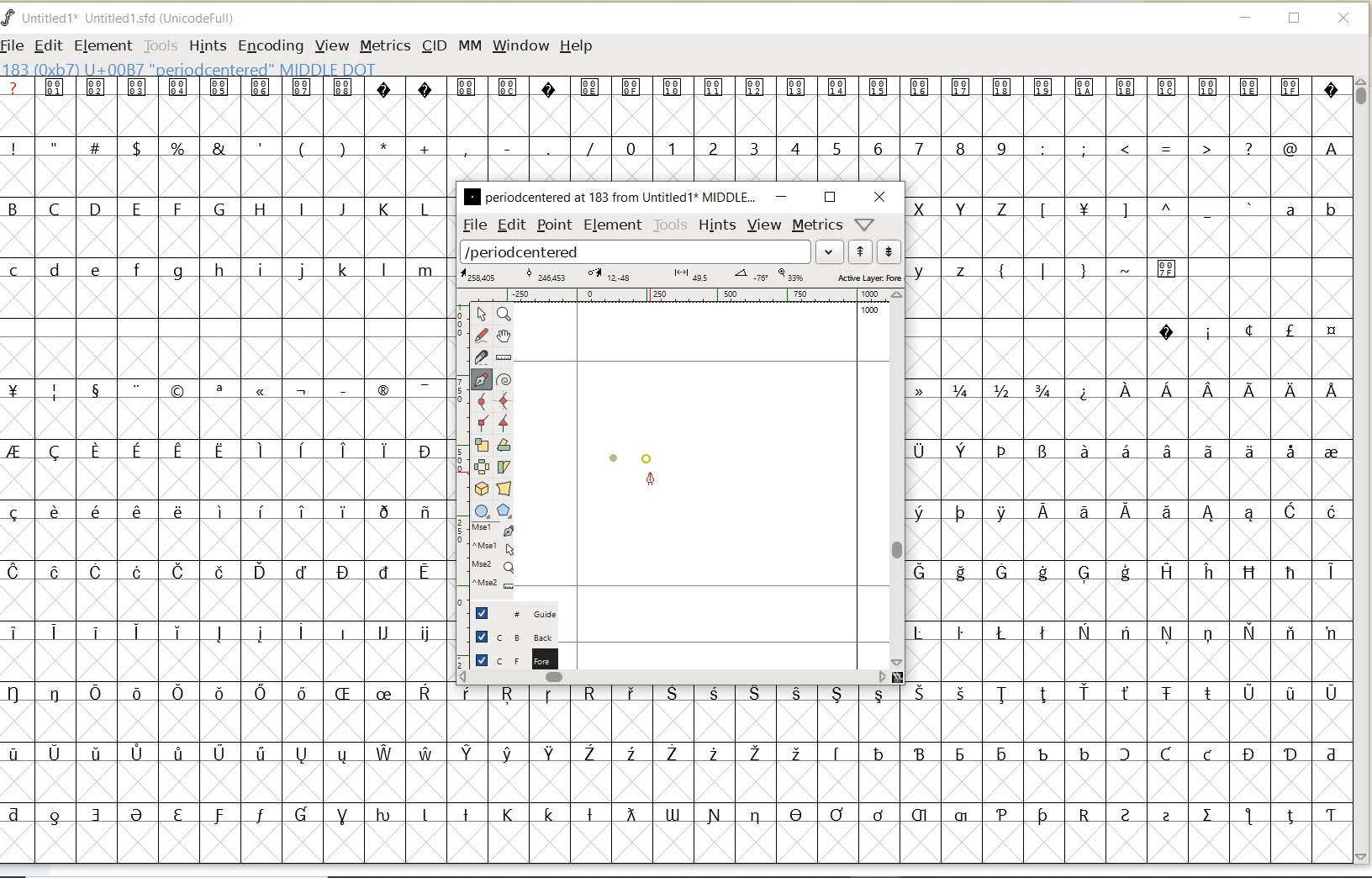 The image size is (1372, 878). Describe the element at coordinates (481, 357) in the screenshot. I see `cut splines in two` at that location.